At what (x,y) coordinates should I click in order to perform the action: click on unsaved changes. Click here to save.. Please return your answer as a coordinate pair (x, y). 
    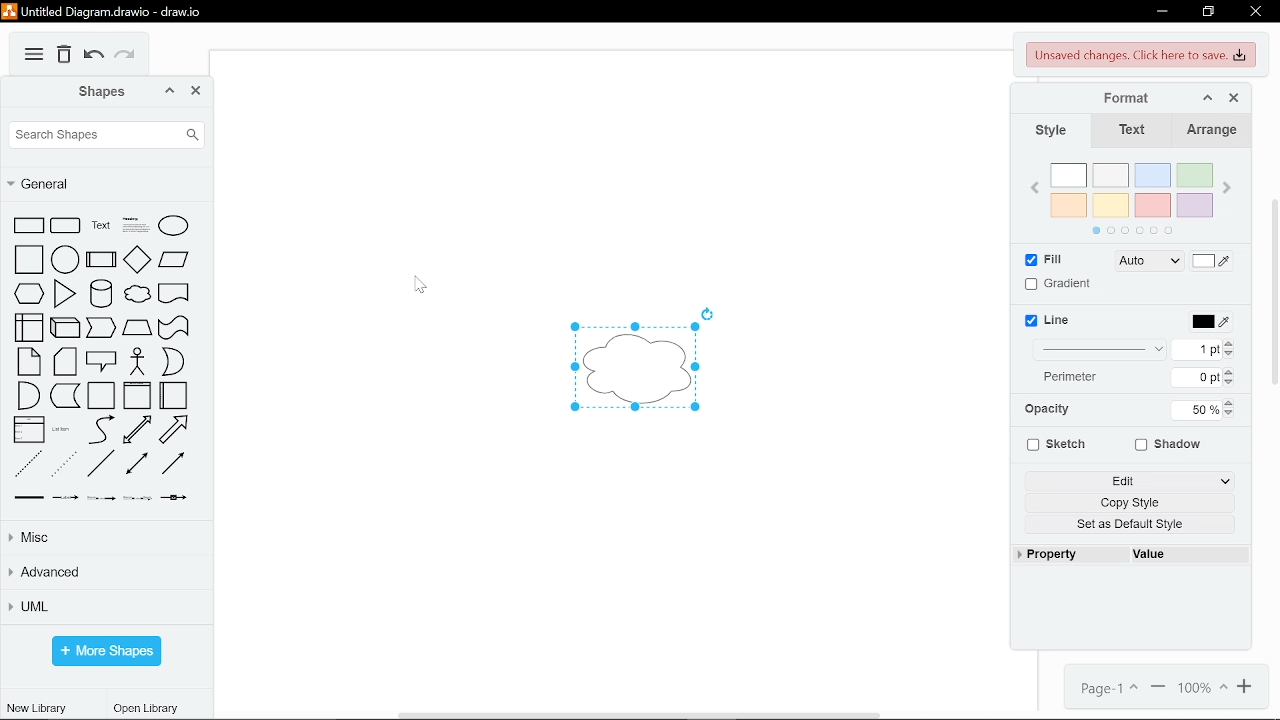
    Looking at the image, I should click on (1141, 55).